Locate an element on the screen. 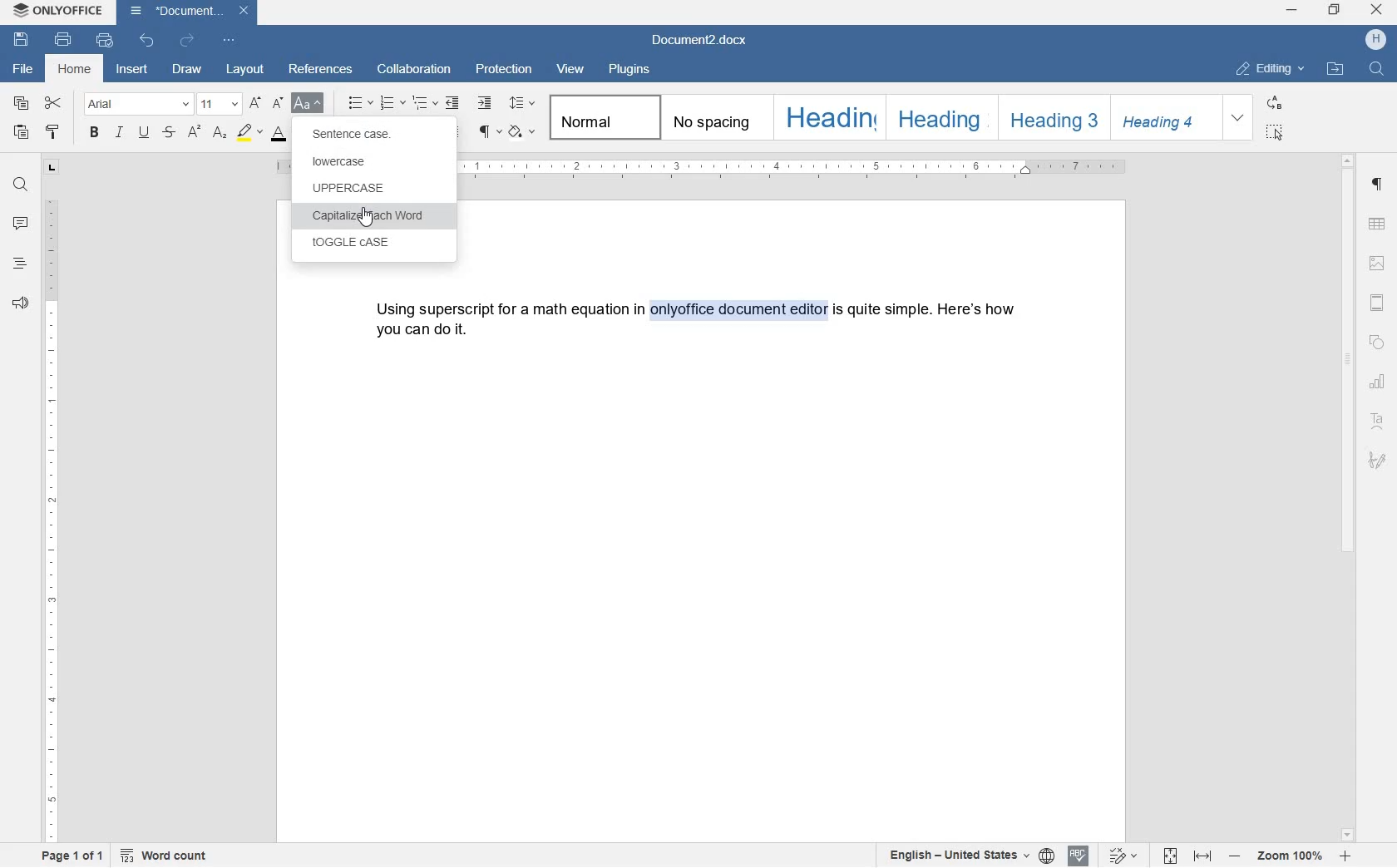 This screenshot has height=868, width=1397. font size is located at coordinates (219, 103).